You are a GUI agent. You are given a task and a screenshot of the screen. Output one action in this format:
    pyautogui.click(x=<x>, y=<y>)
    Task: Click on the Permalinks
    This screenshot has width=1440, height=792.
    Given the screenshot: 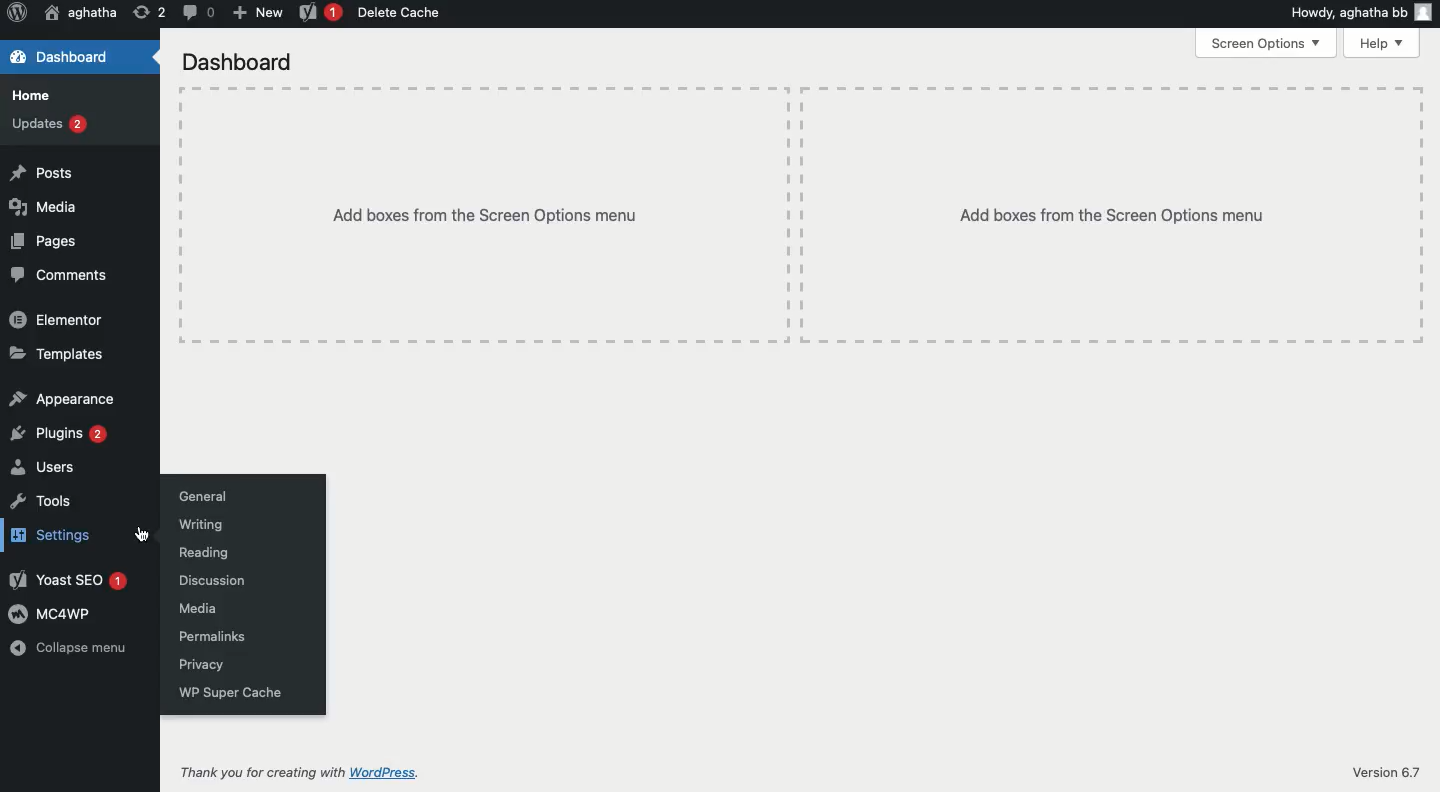 What is the action you would take?
    pyautogui.click(x=208, y=638)
    